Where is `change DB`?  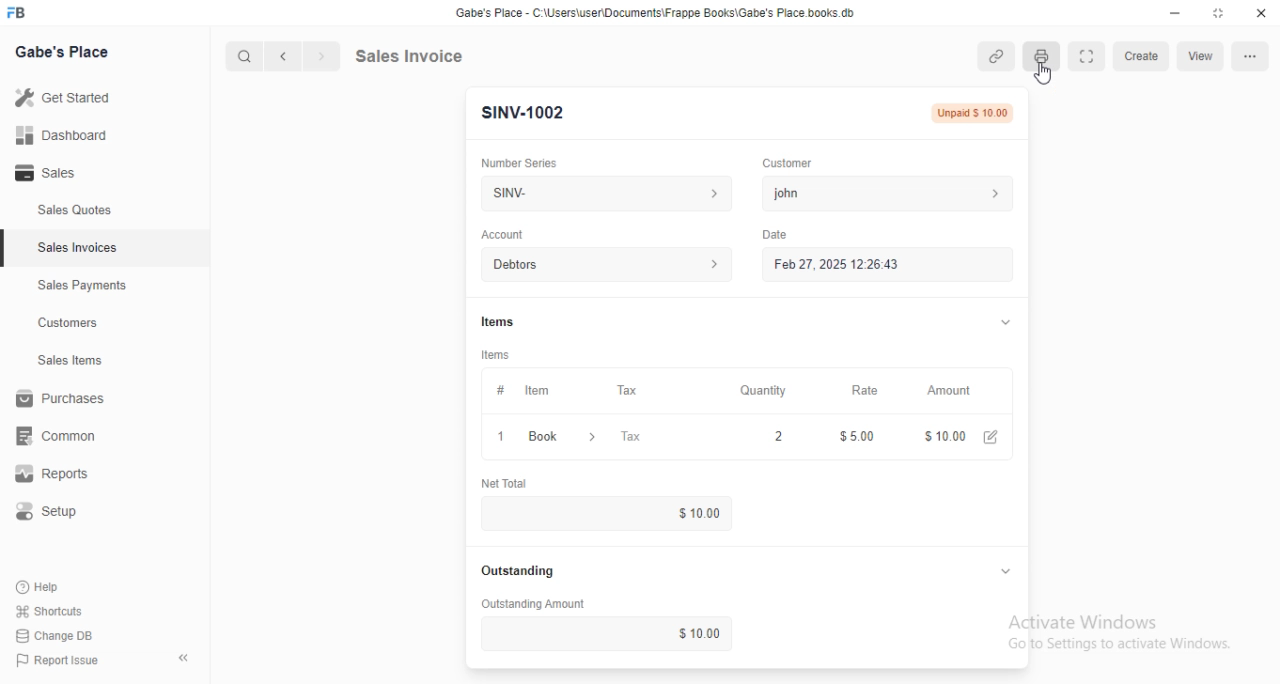 change DB is located at coordinates (54, 636).